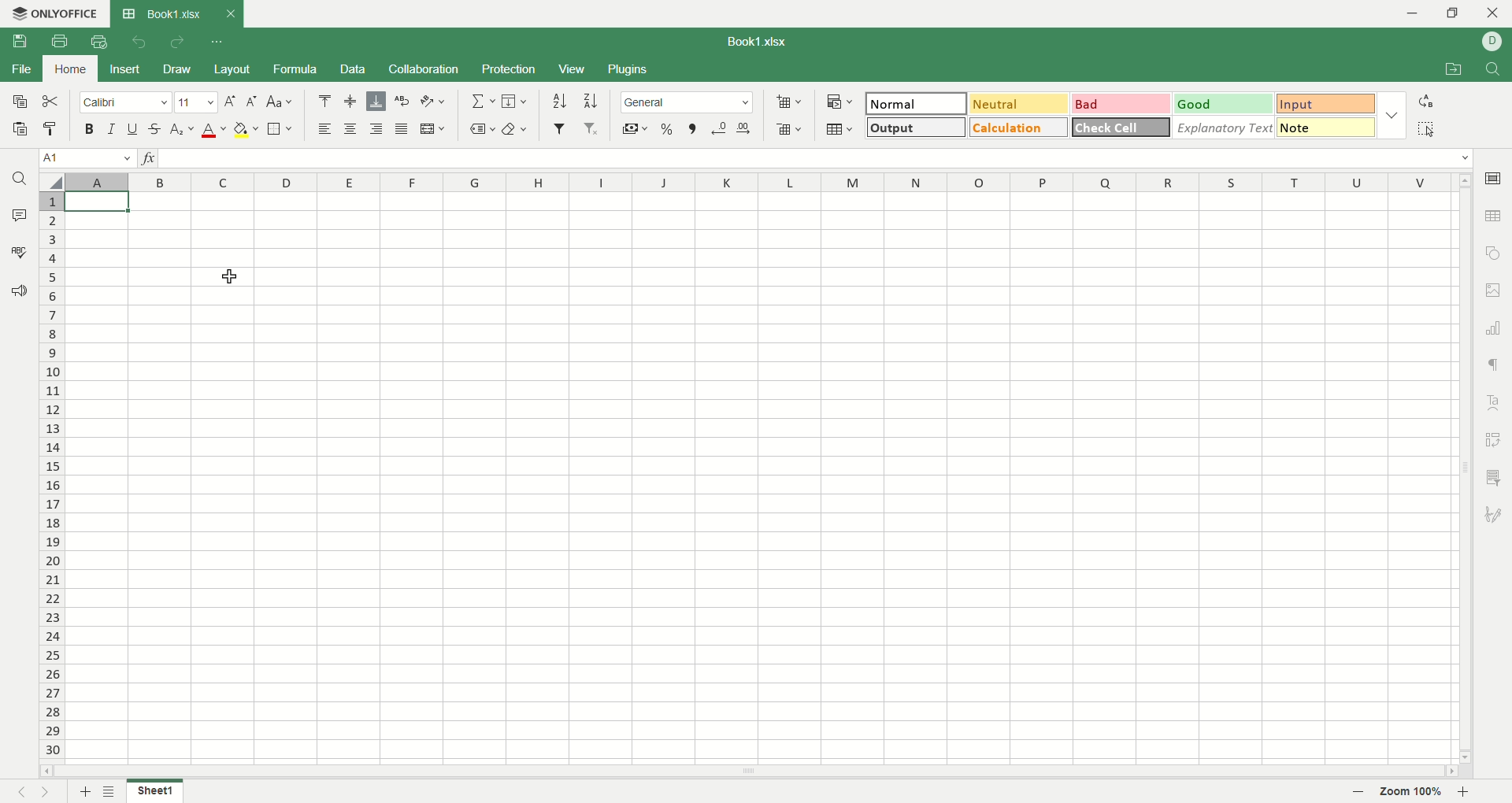 This screenshot has height=803, width=1512. Describe the element at coordinates (1496, 476) in the screenshot. I see `slice settings` at that location.